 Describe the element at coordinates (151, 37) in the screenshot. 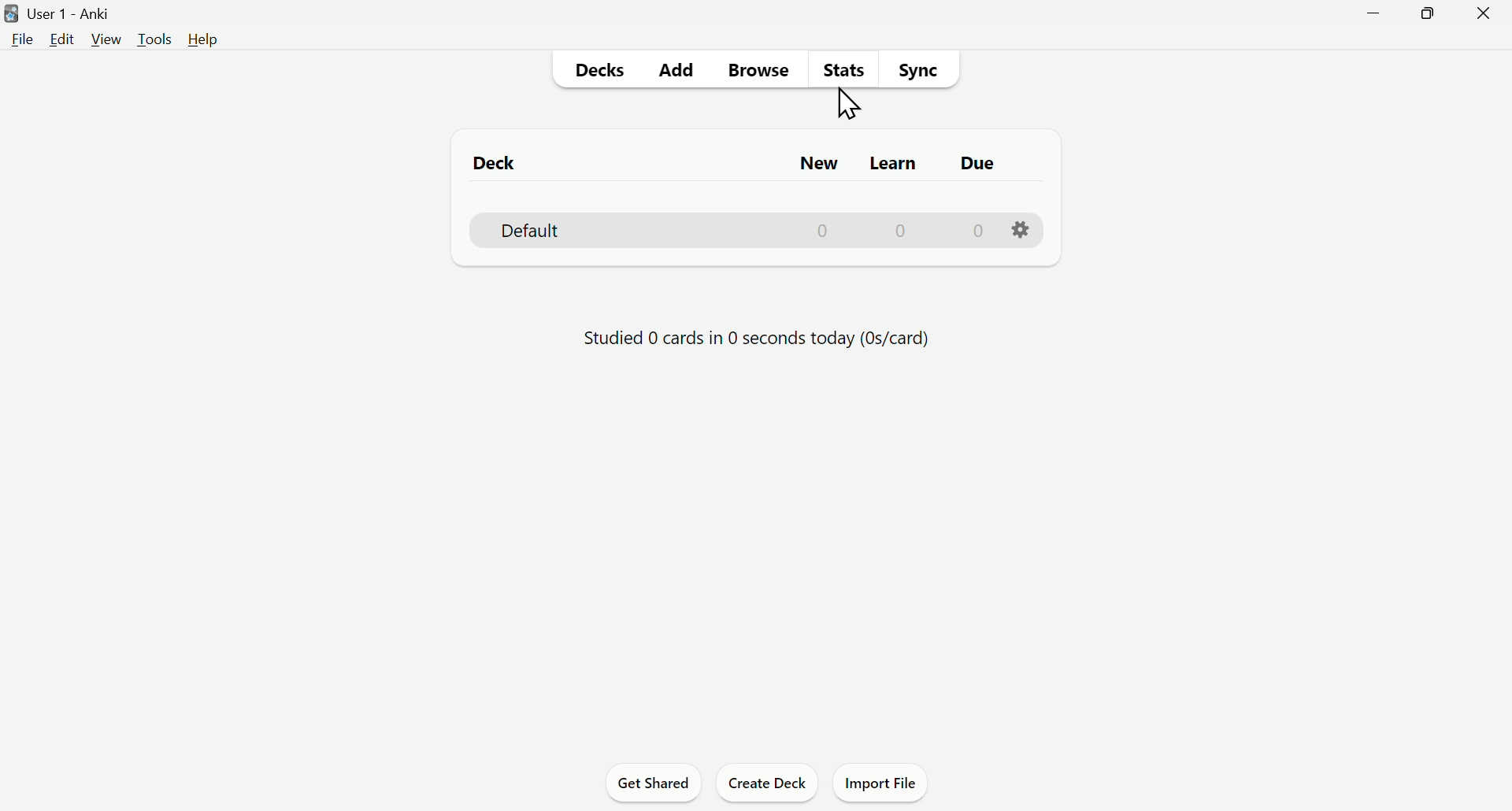

I see `Tools` at that location.